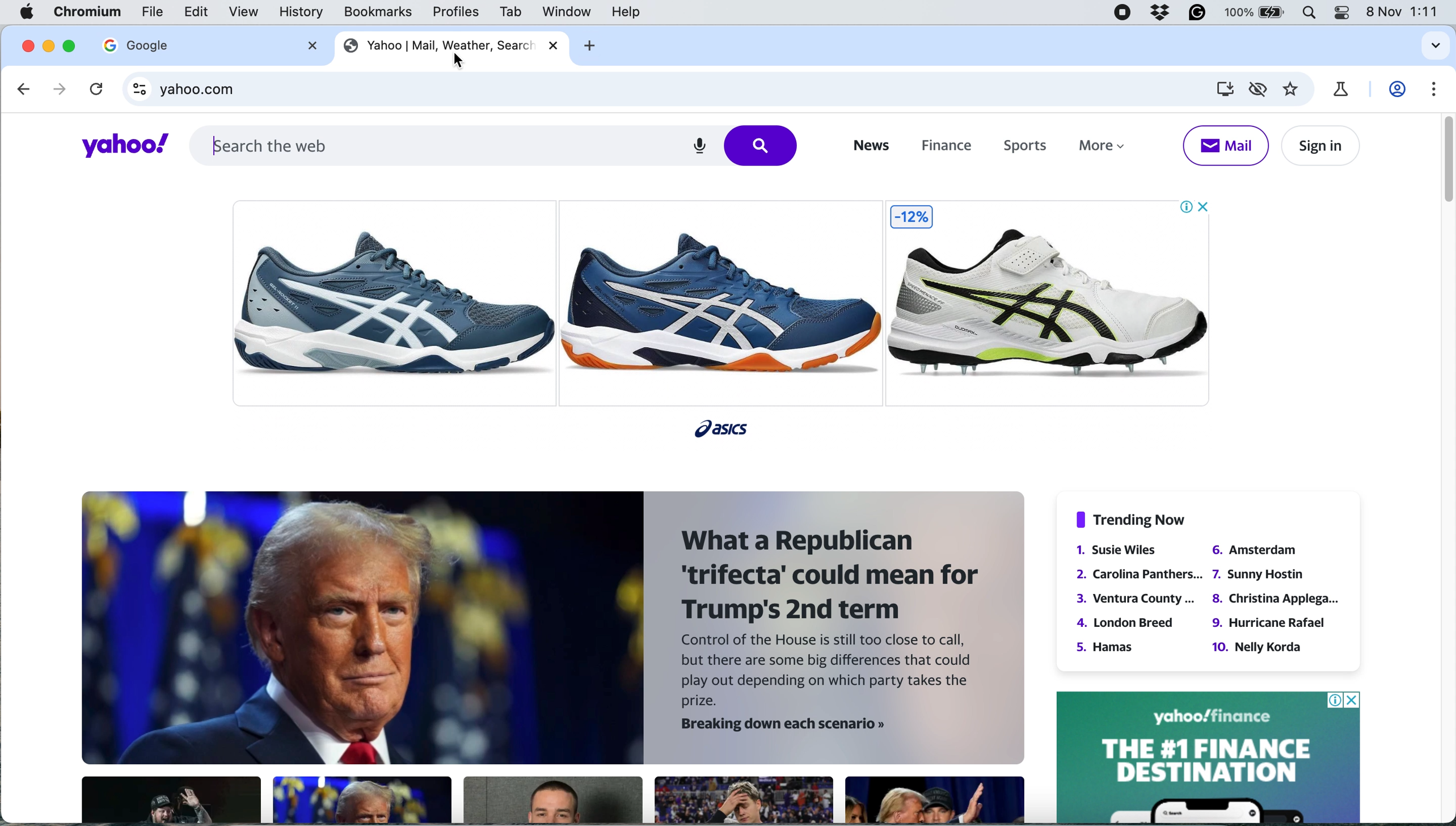 The width and height of the screenshot is (1456, 826). What do you see at coordinates (869, 146) in the screenshot?
I see `news` at bounding box center [869, 146].